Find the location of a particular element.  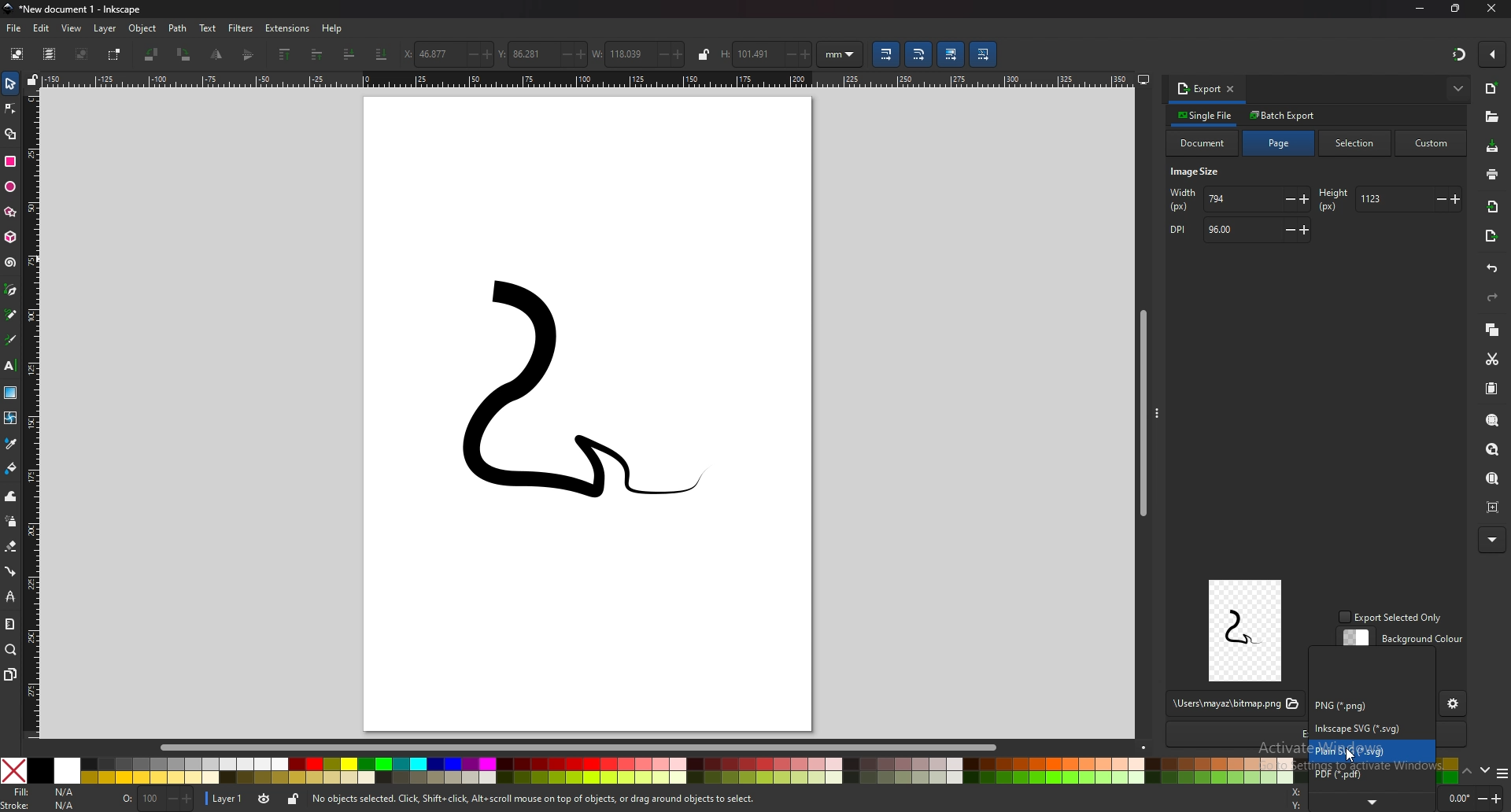

vertical scale is located at coordinates (34, 412).